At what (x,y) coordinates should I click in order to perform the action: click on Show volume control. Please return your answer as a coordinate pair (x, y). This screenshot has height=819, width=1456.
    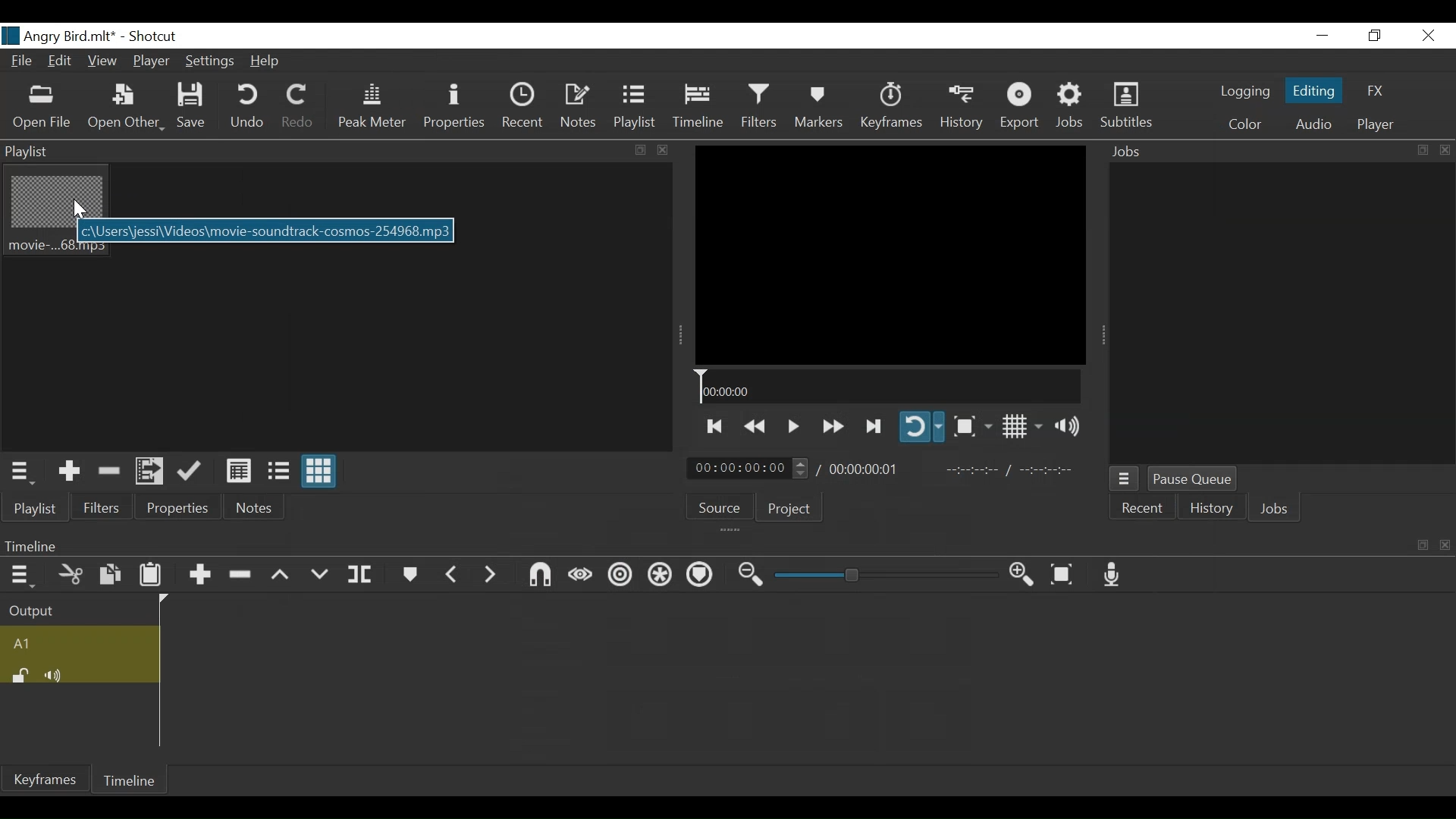
    Looking at the image, I should click on (1071, 428).